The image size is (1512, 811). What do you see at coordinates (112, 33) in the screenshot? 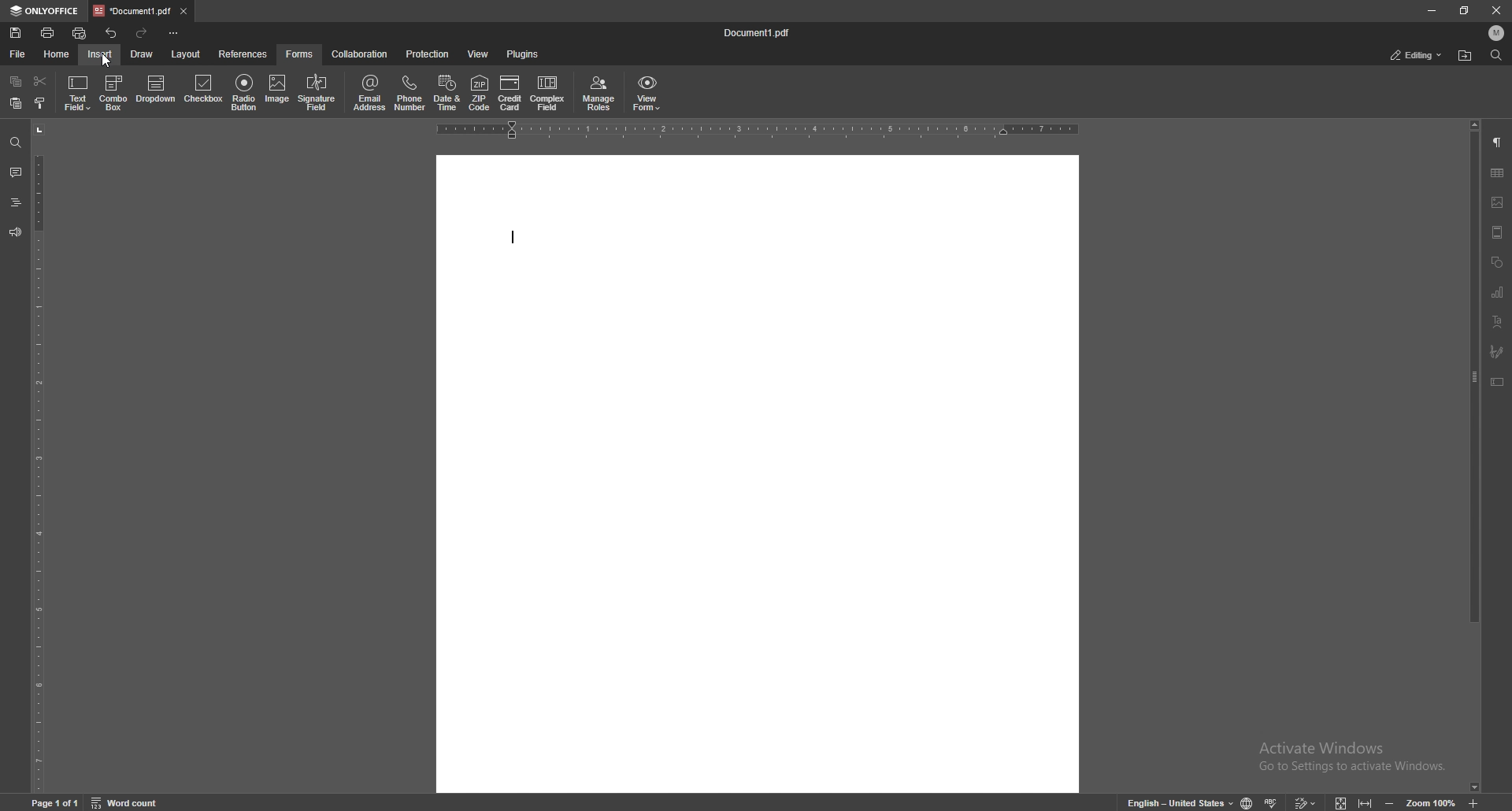
I see `undo` at bounding box center [112, 33].